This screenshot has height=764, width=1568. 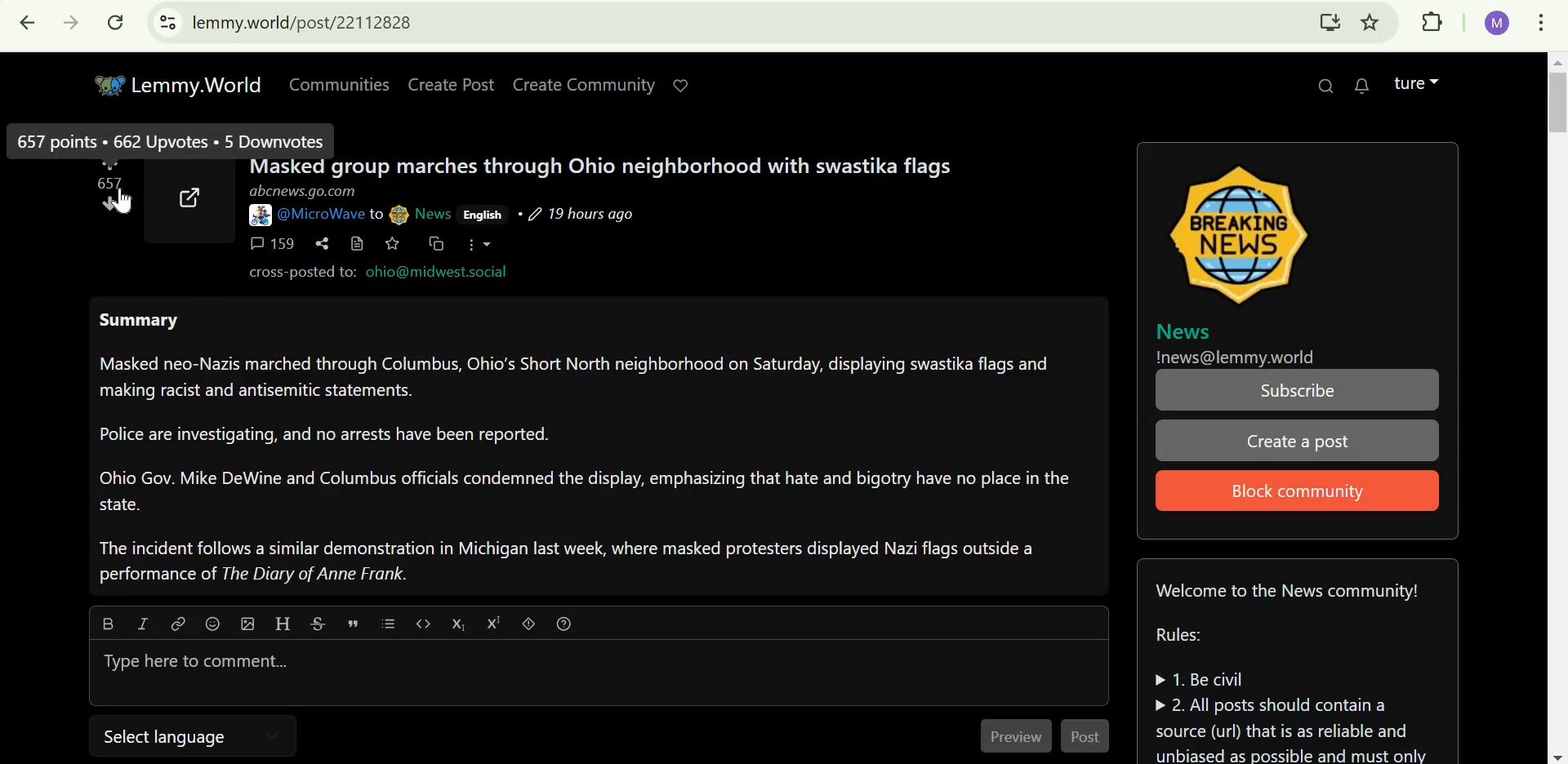 I want to click on scrollbar, so click(x=1552, y=408).